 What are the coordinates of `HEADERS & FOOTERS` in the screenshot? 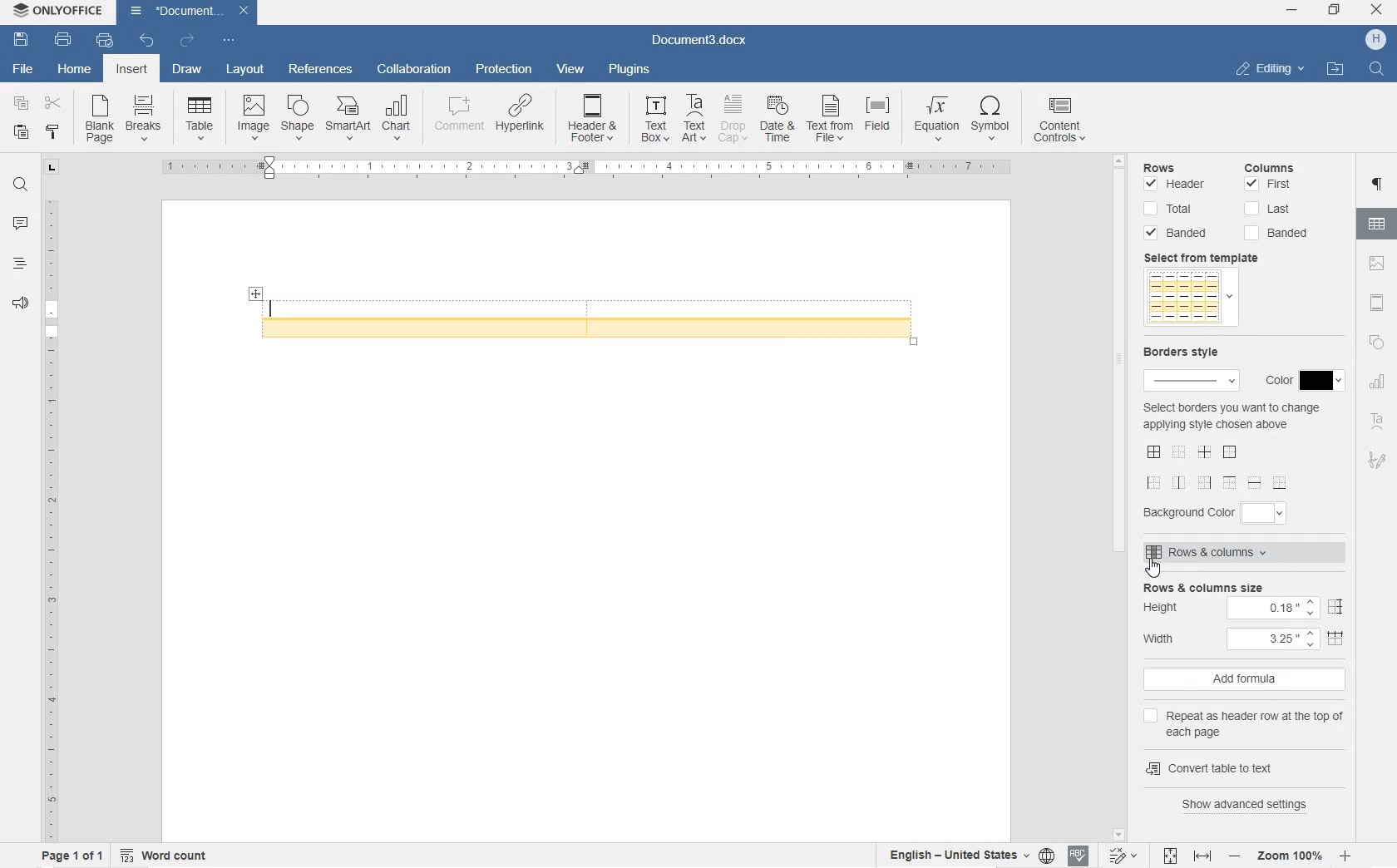 It's located at (1378, 304).